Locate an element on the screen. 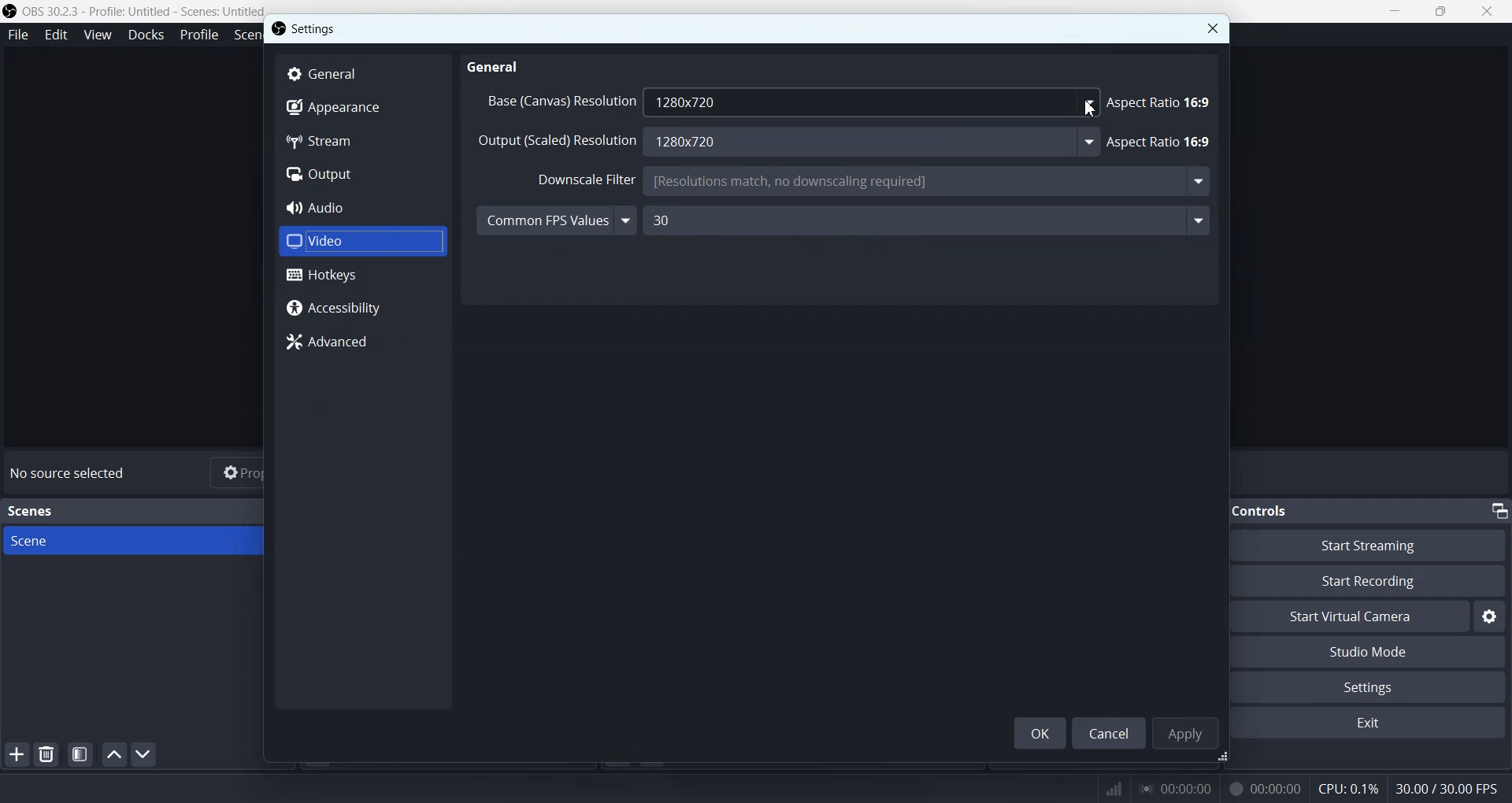 This screenshot has height=803, width=1512. Common FPS Values is located at coordinates (556, 219).